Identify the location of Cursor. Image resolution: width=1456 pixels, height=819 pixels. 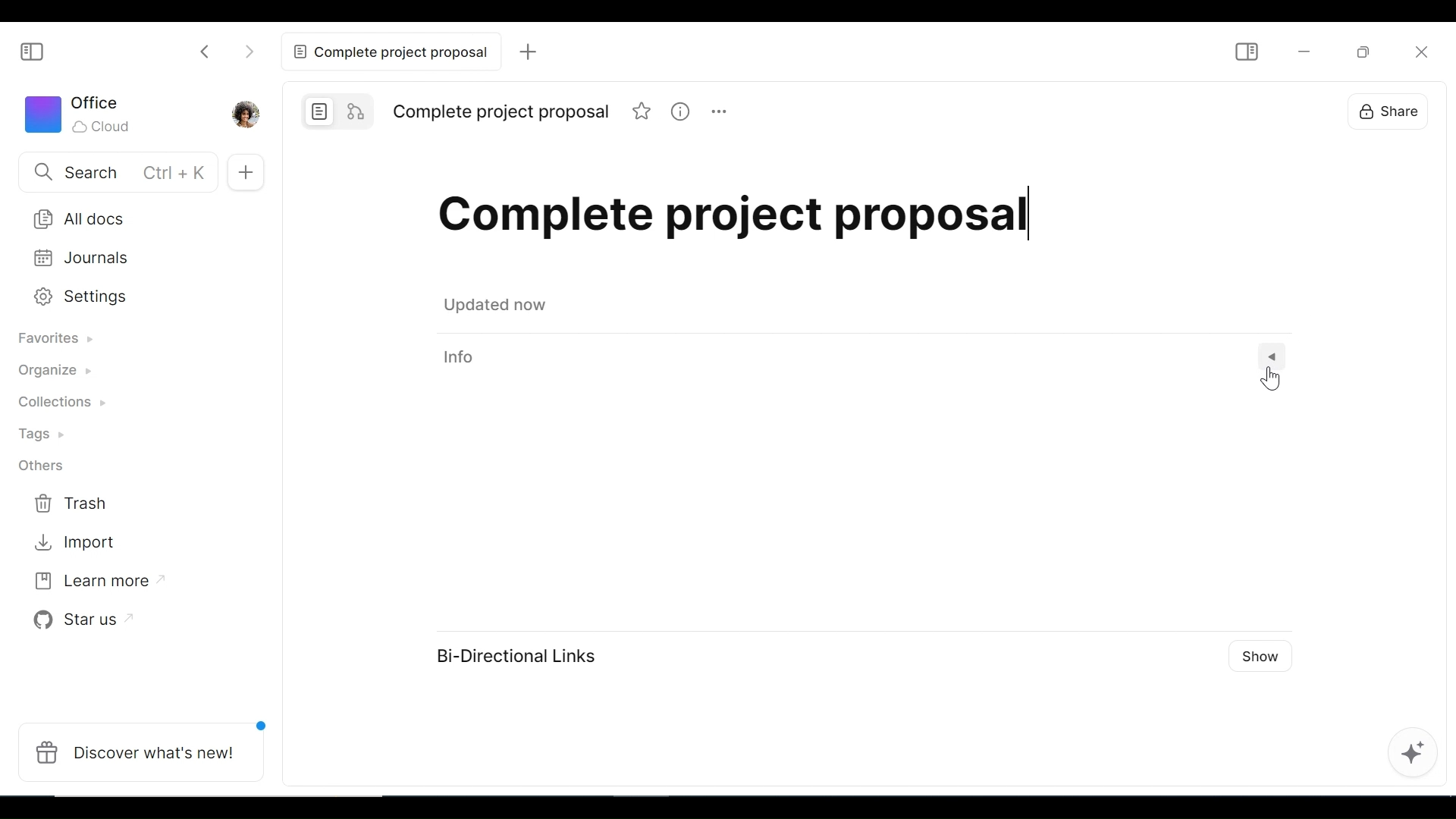
(1272, 380).